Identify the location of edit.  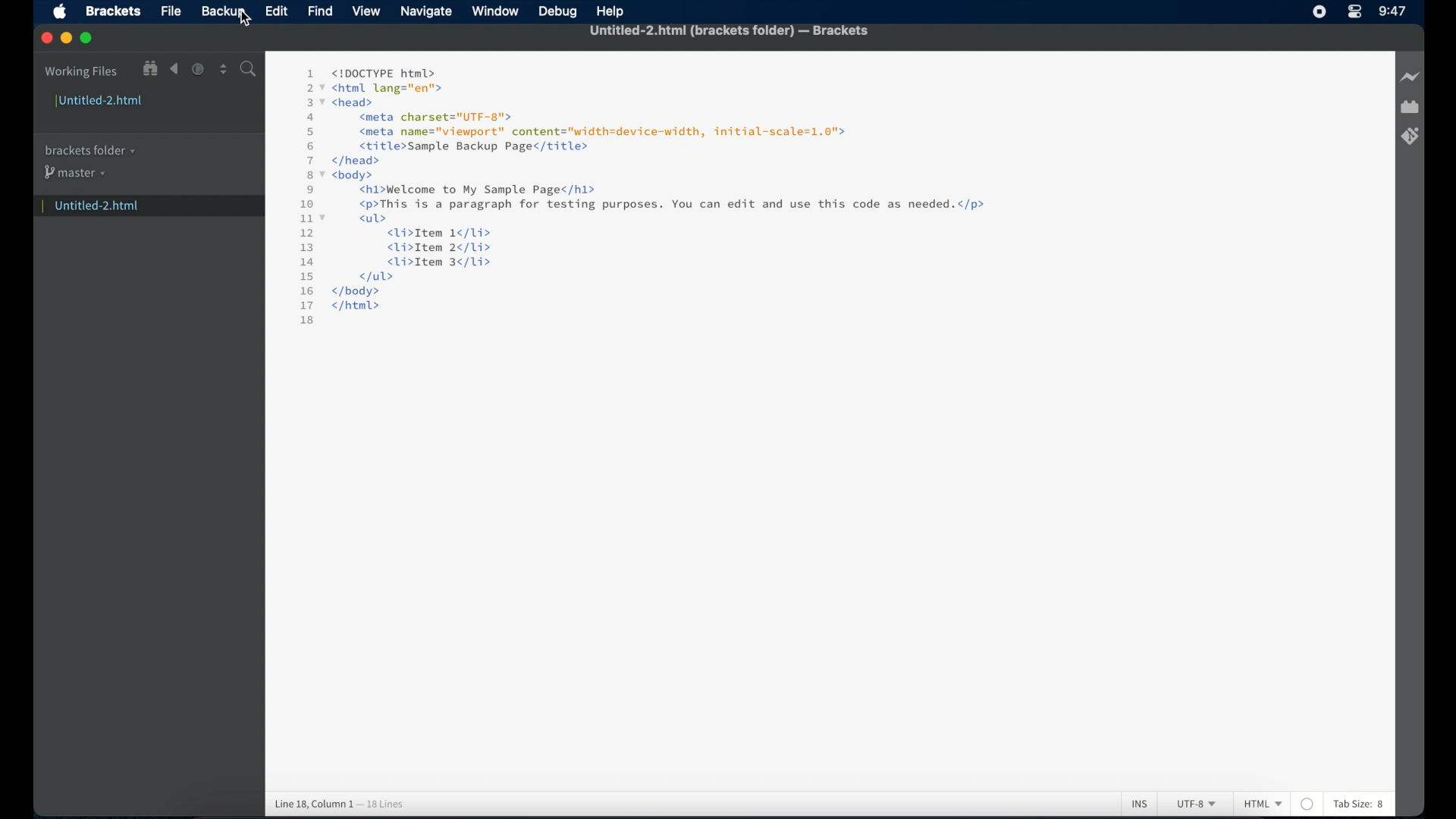
(277, 11).